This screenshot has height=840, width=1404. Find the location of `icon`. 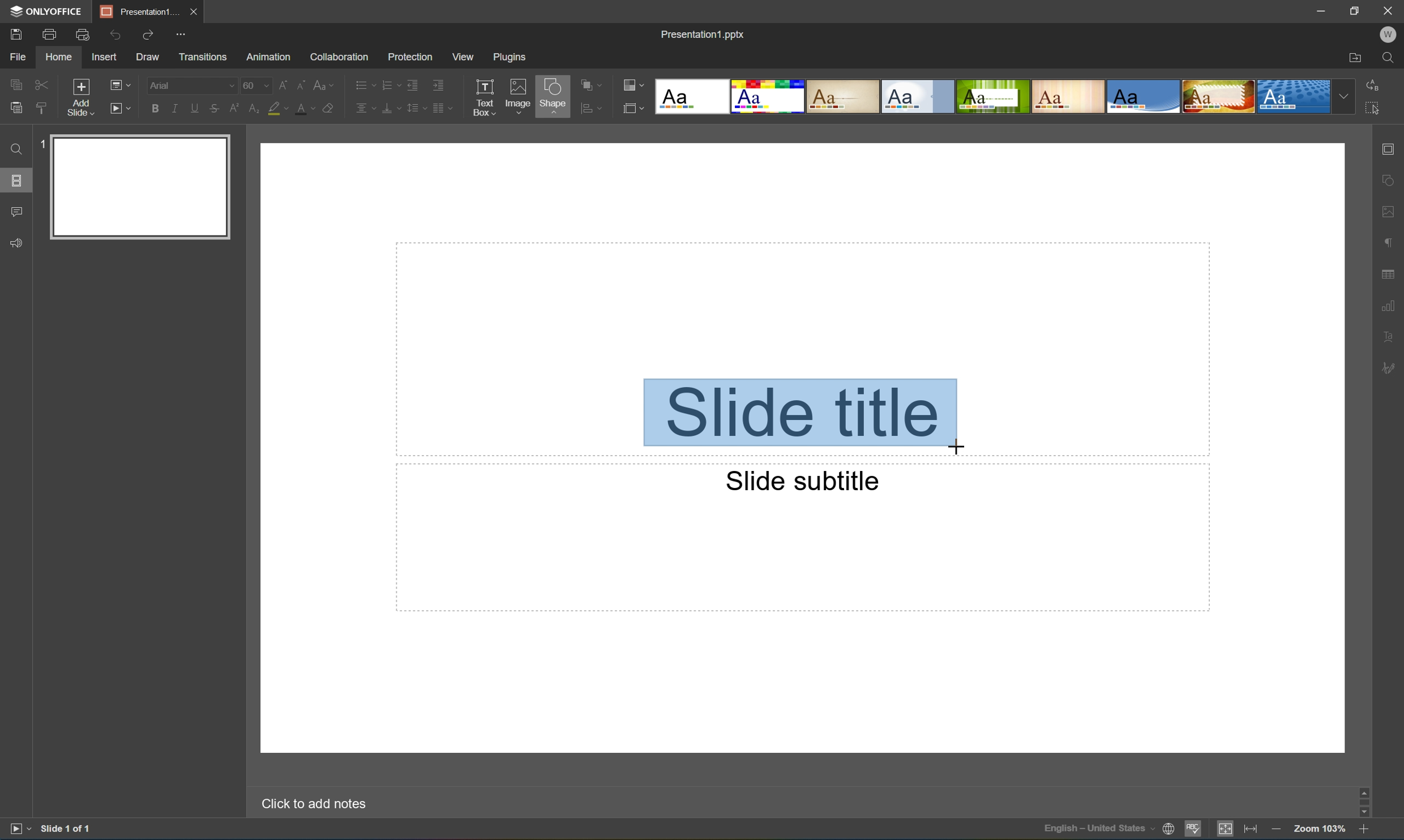

icon is located at coordinates (585, 107).